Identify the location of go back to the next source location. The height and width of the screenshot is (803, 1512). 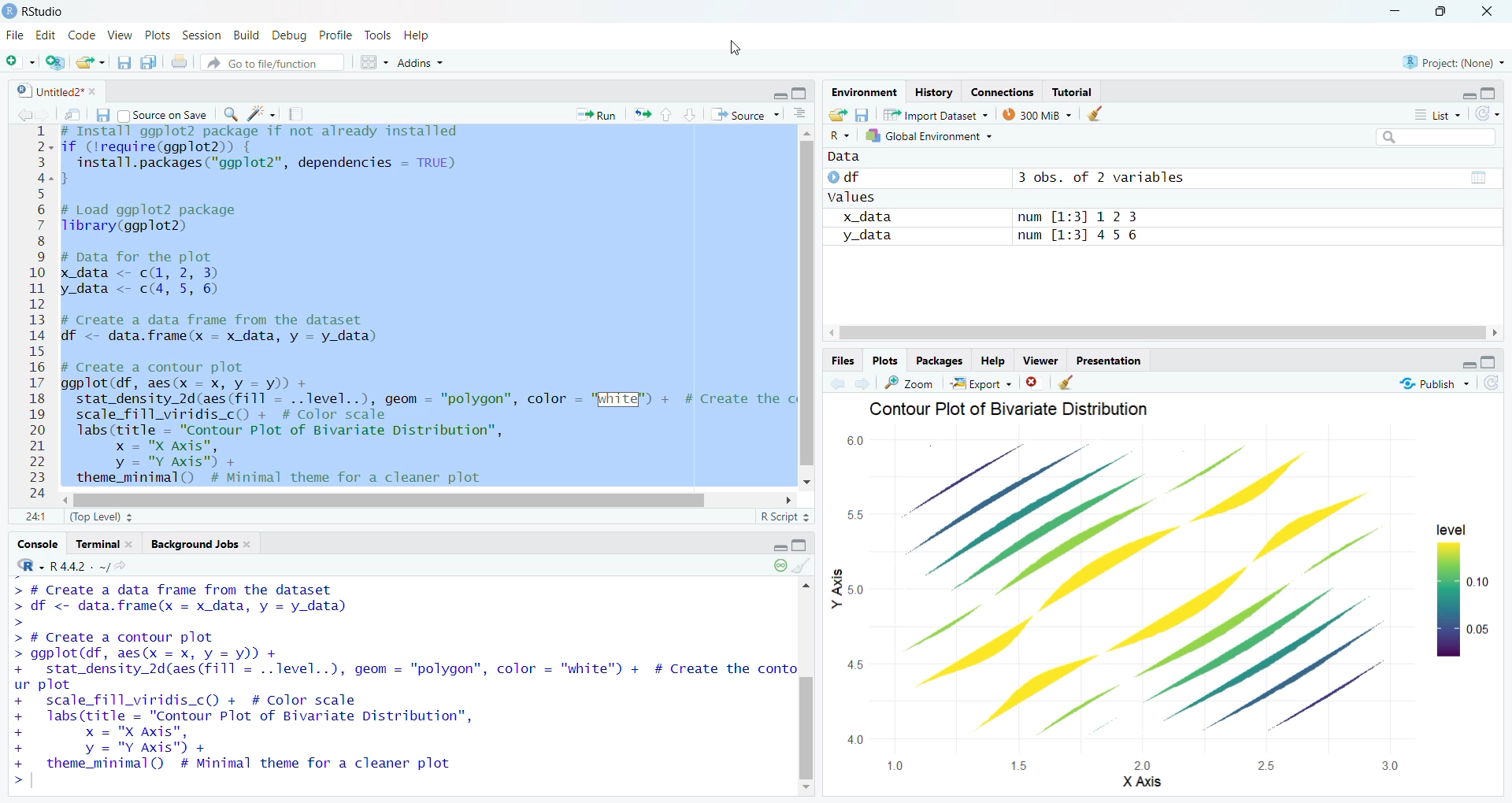
(43, 115).